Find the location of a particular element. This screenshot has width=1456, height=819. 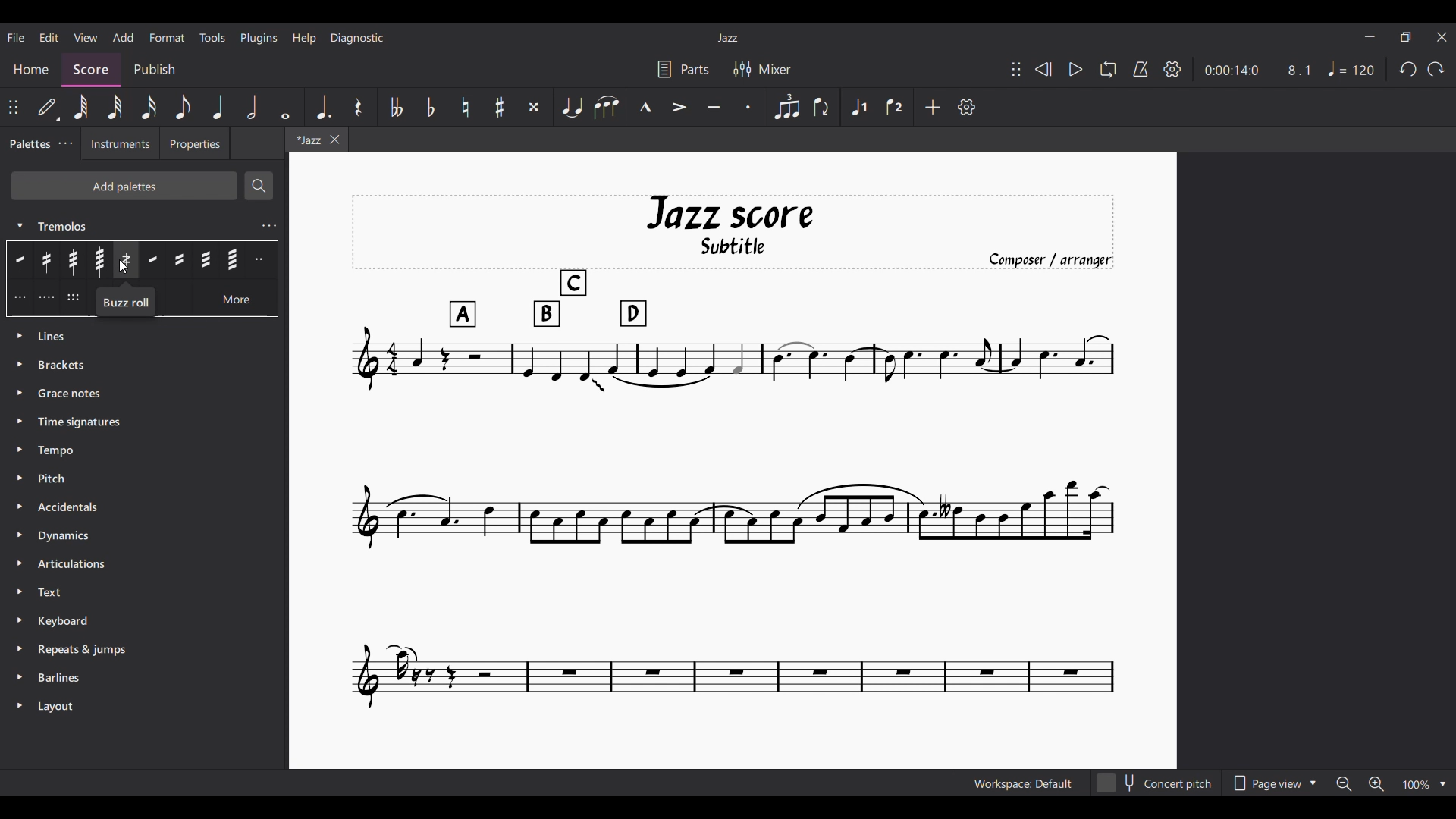

Parts is located at coordinates (684, 68).